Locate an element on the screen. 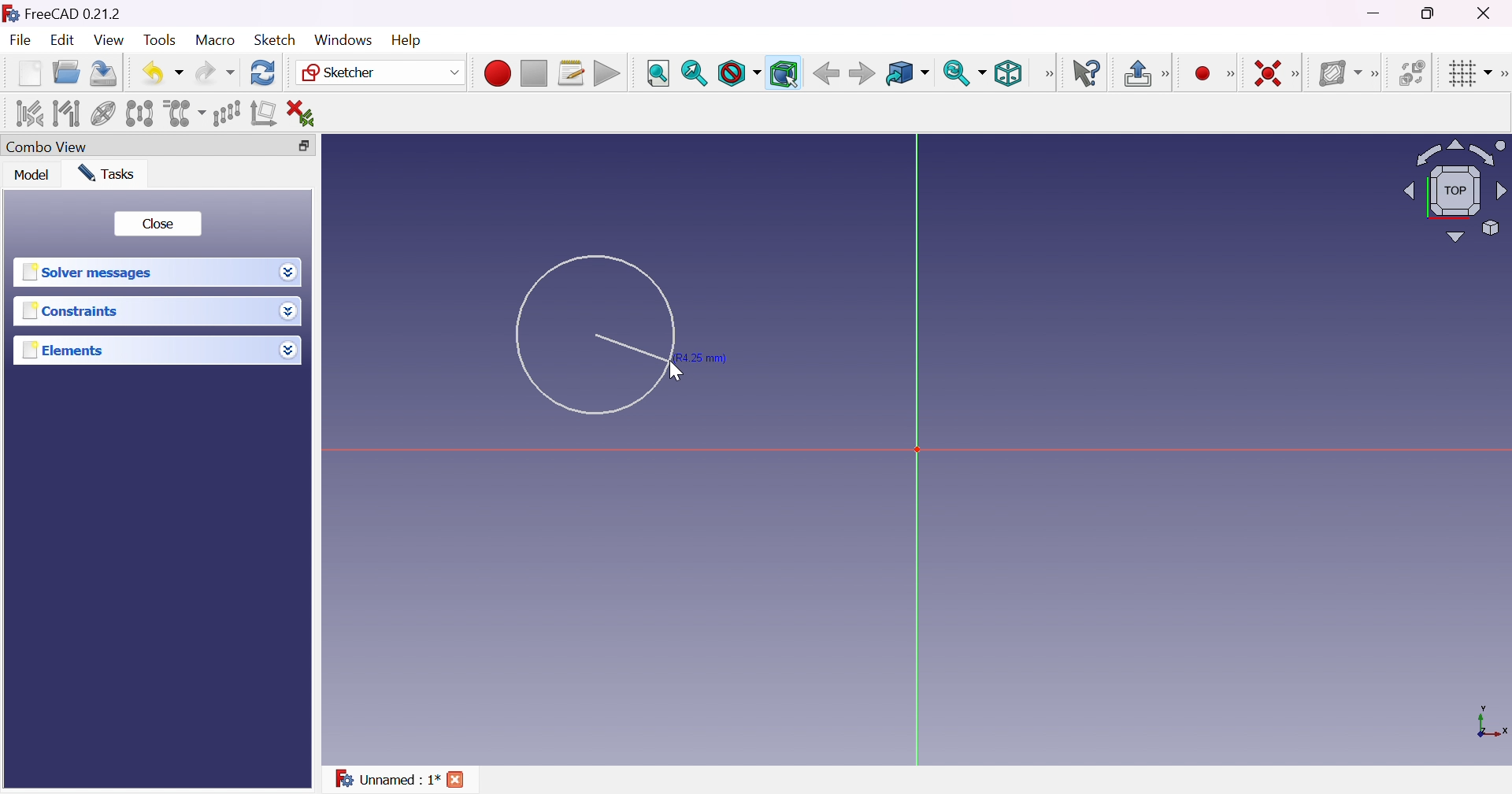 The image size is (1512, 794). File is located at coordinates (20, 40).